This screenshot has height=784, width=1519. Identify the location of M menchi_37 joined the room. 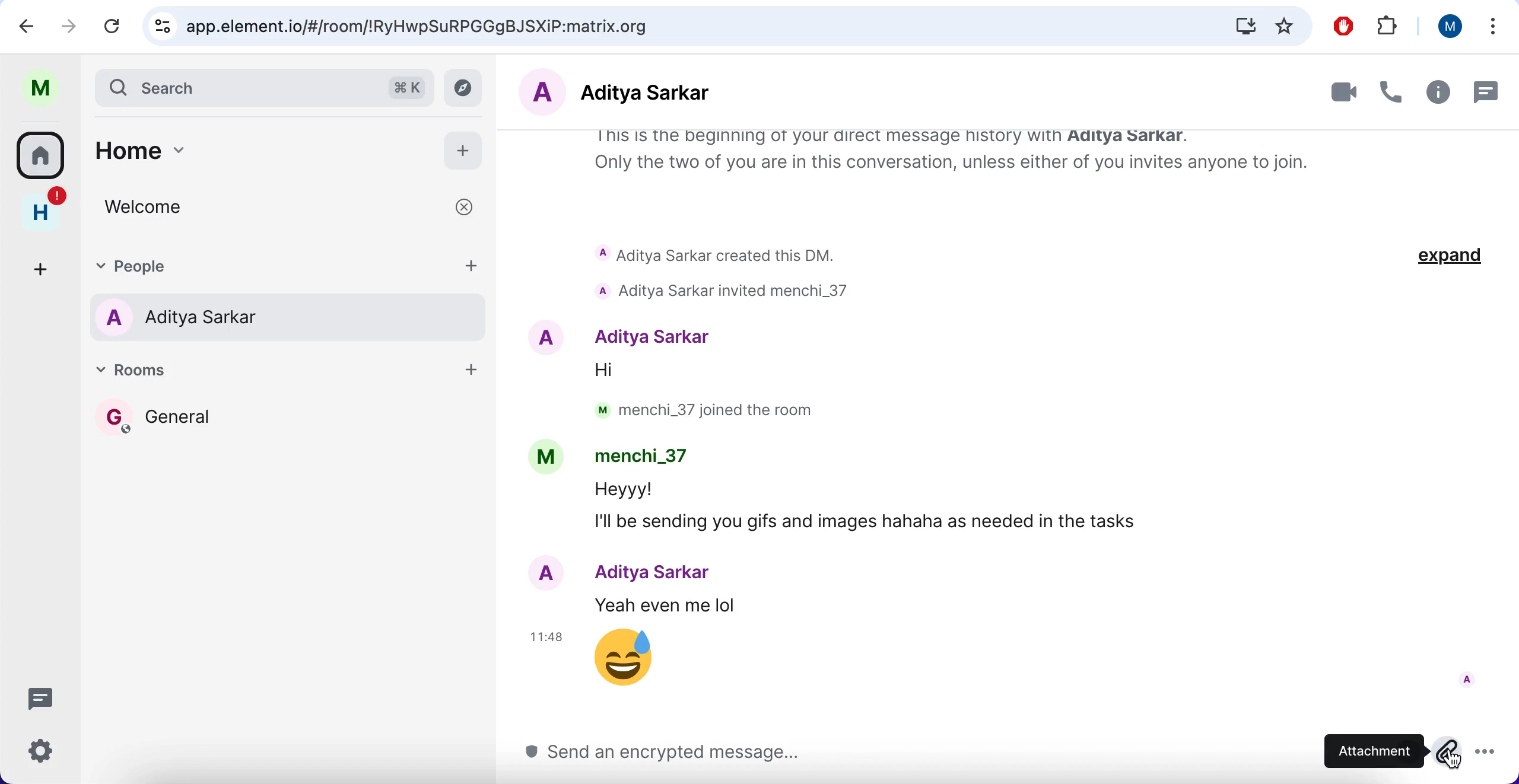
(700, 409).